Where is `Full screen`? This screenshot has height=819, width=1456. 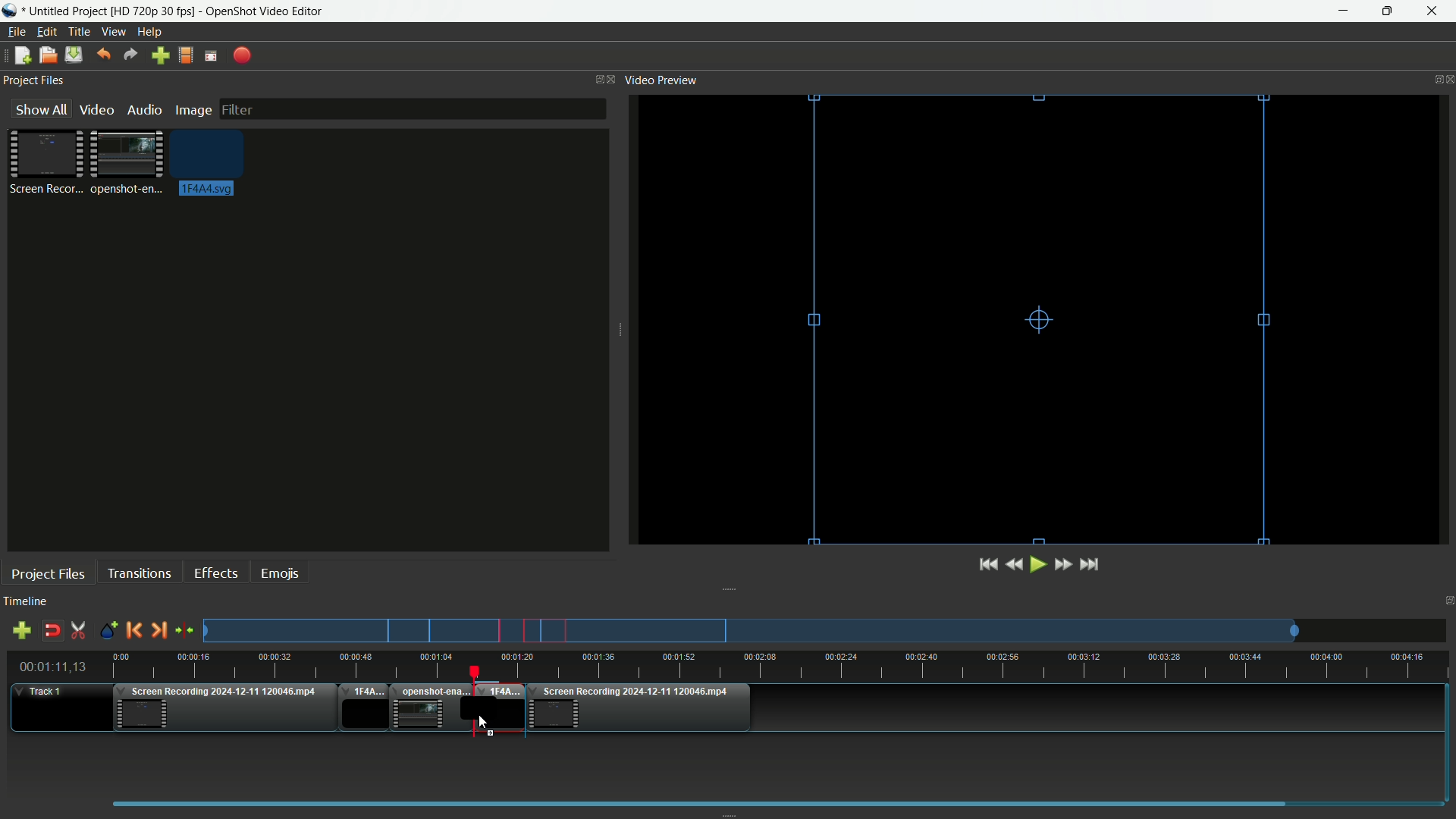
Full screen is located at coordinates (211, 56).